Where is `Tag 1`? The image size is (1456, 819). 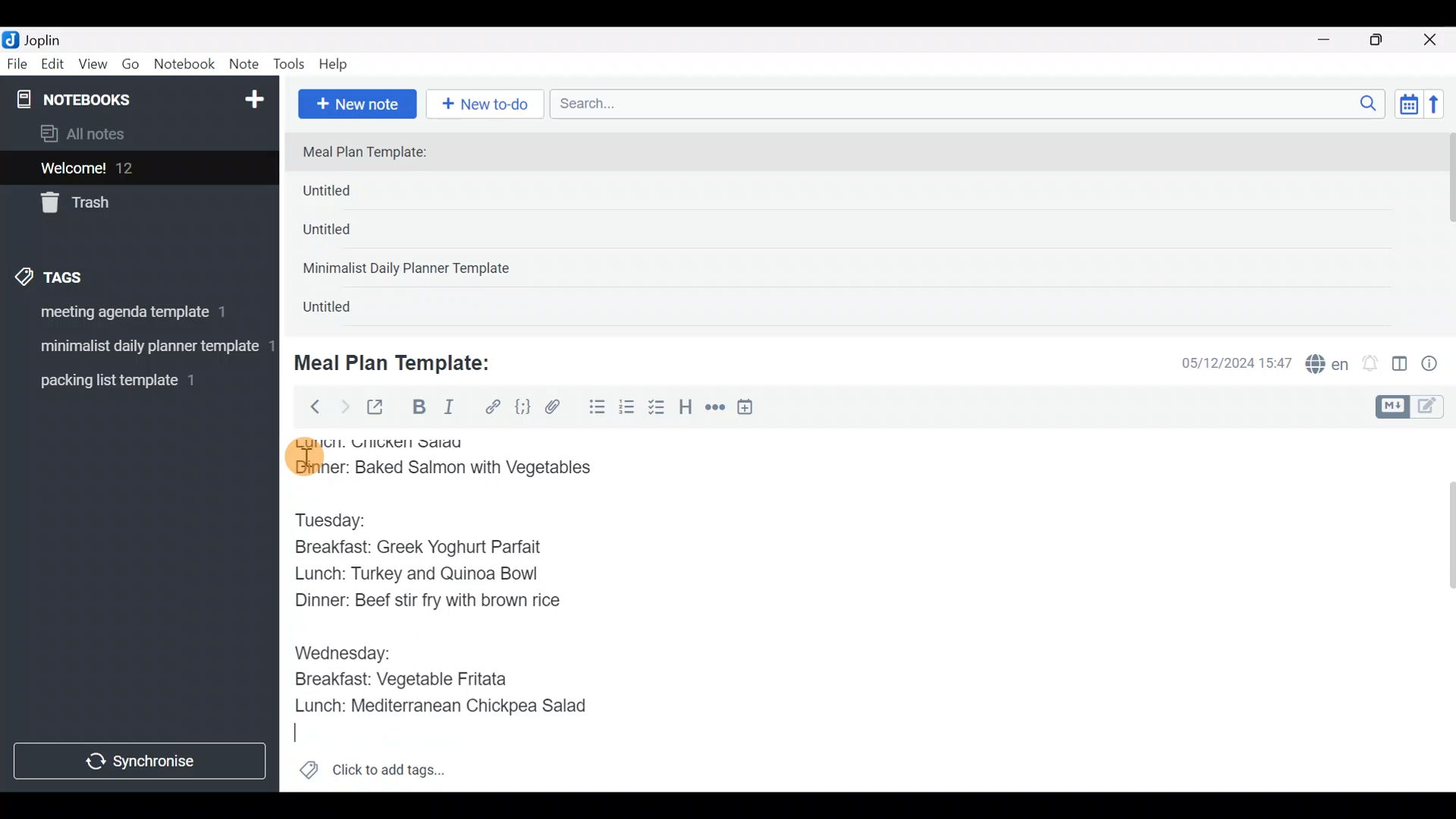
Tag 1 is located at coordinates (135, 316).